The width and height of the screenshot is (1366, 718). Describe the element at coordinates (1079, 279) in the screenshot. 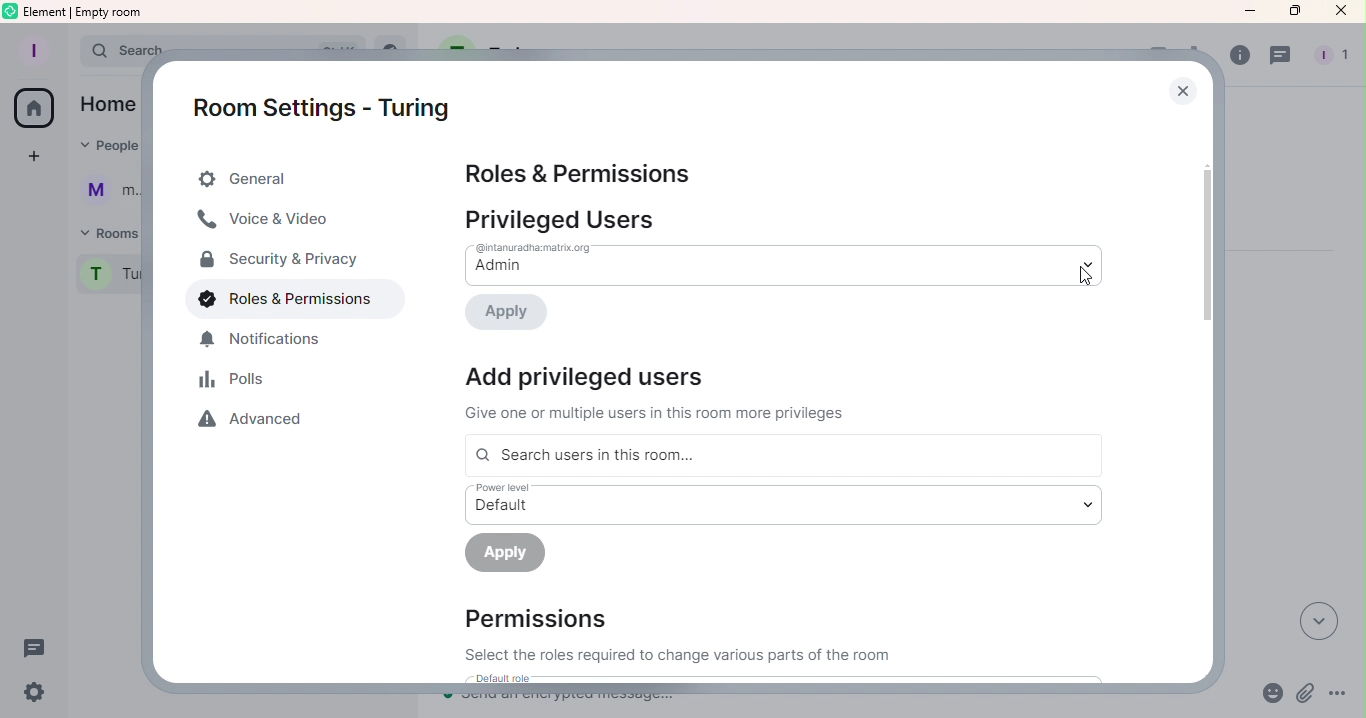

I see `cursor` at that location.